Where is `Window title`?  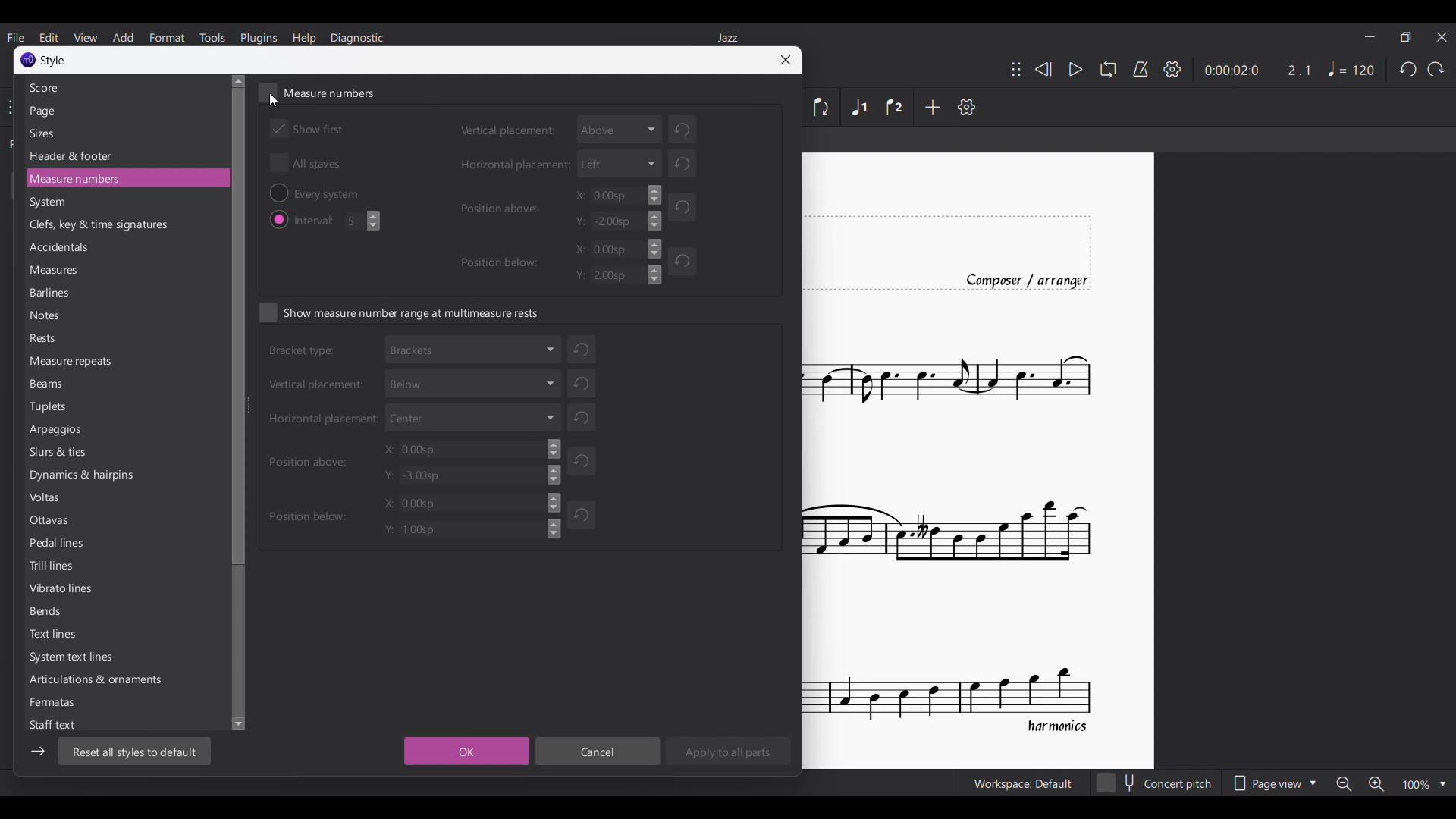
Window title is located at coordinates (54, 61).